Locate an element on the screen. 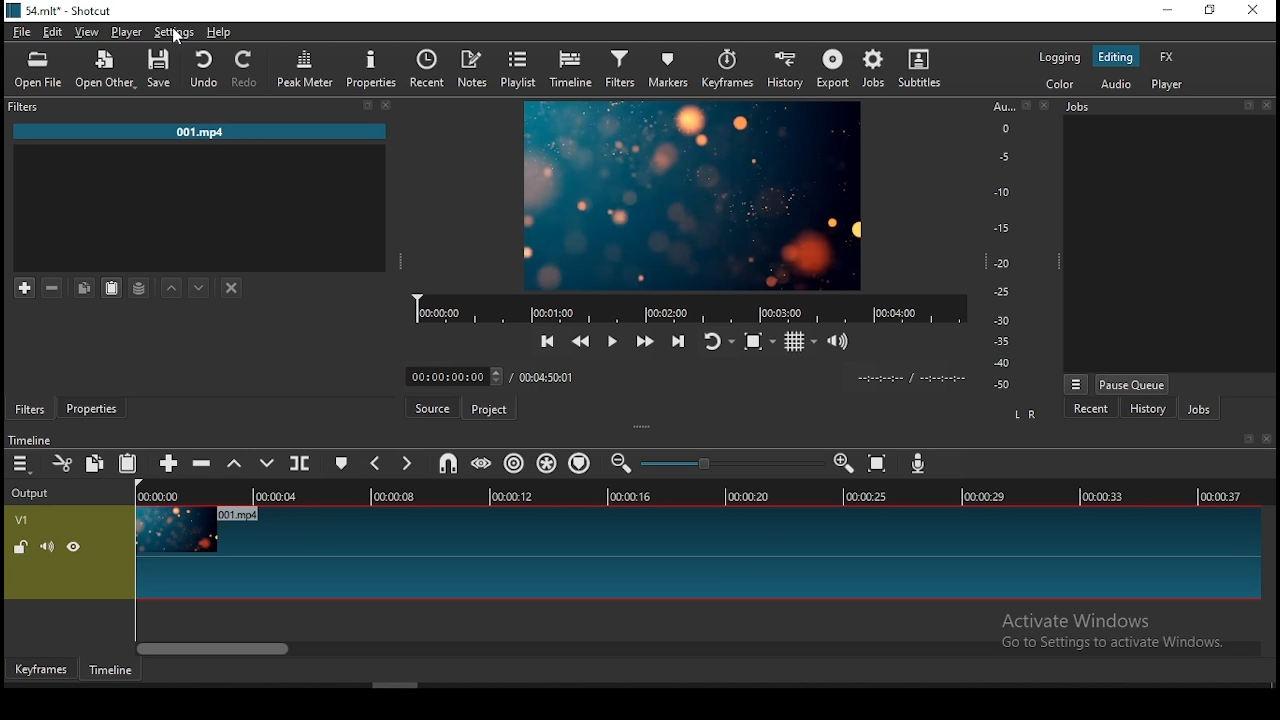  edit is located at coordinates (53, 33).